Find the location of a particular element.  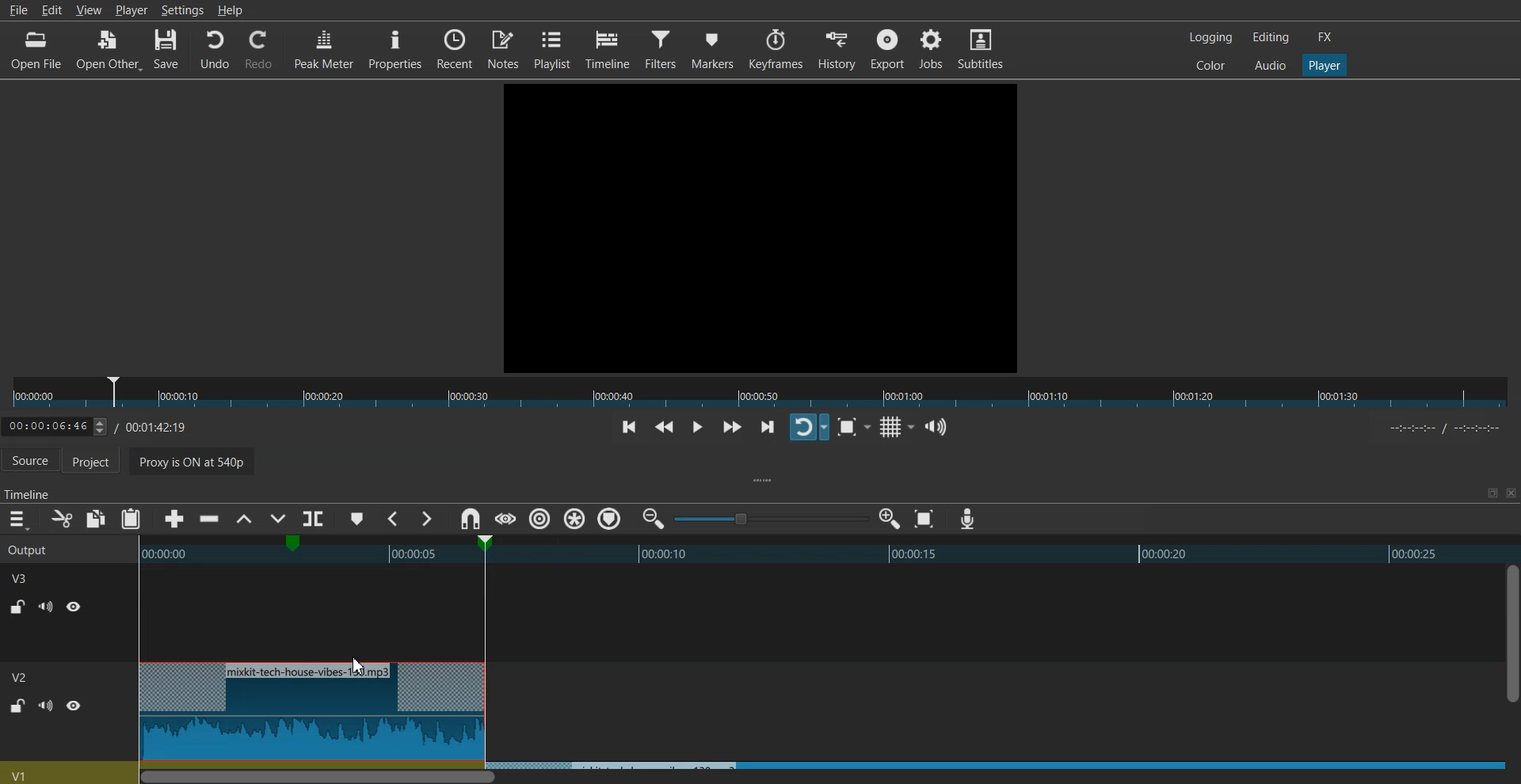

Notes is located at coordinates (505, 48).